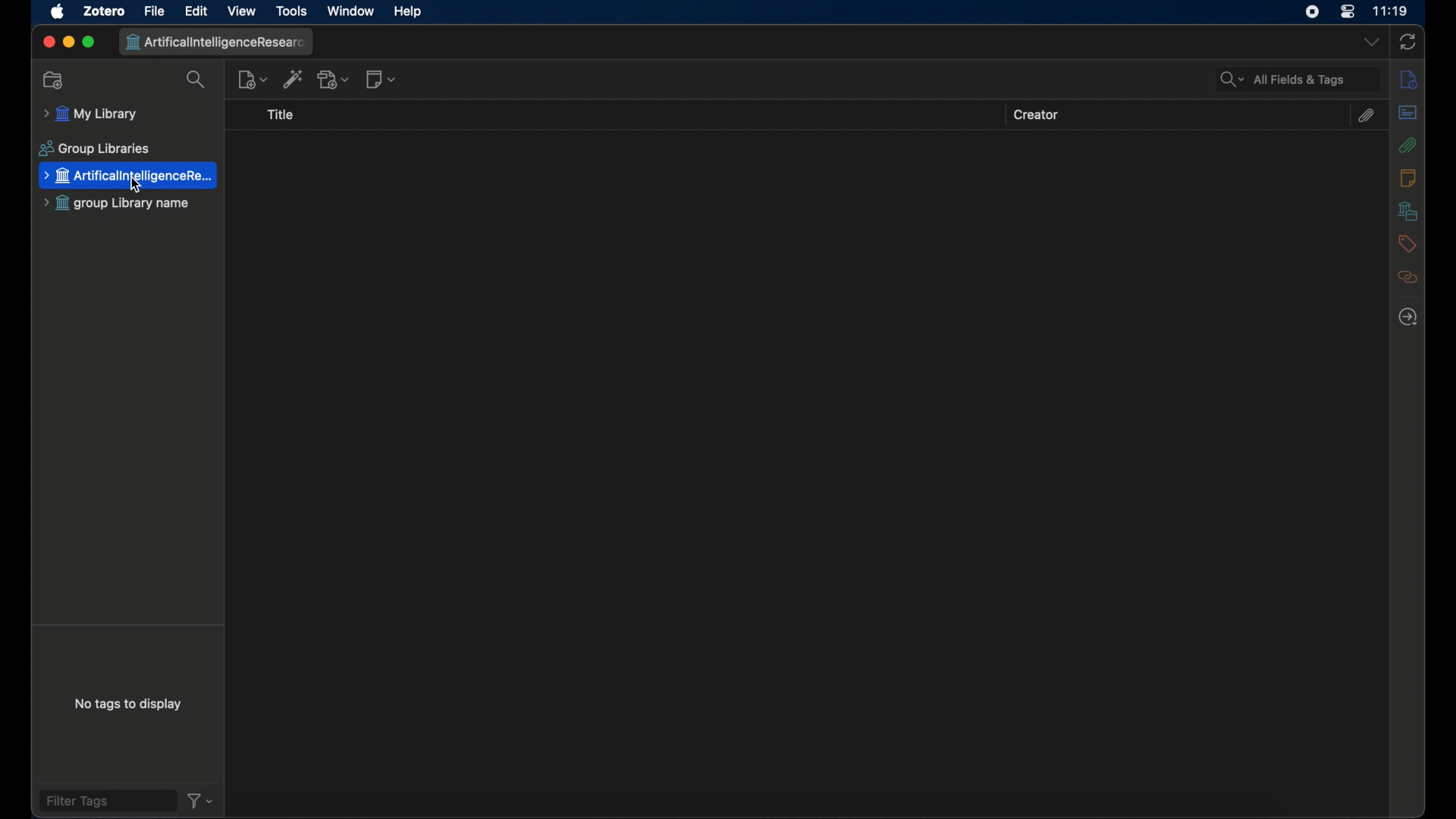 The image size is (1456, 819). I want to click on help, so click(407, 13).